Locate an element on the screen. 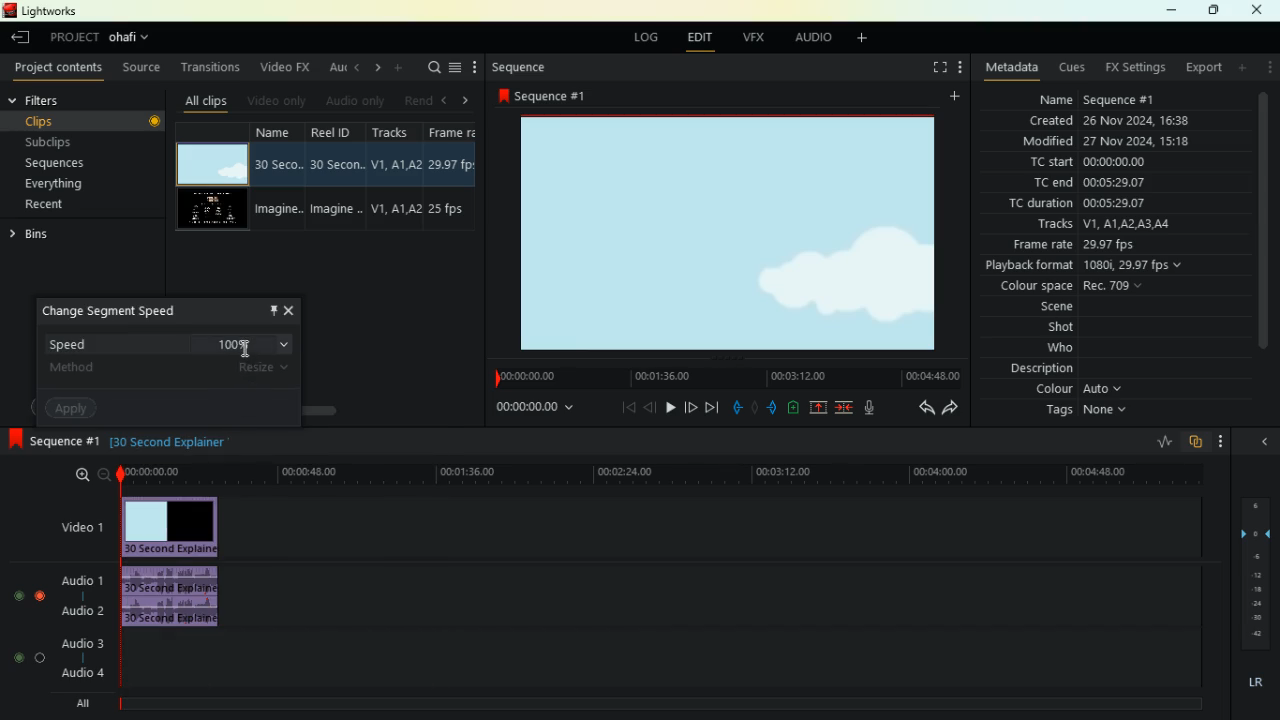 This screenshot has height=720, width=1280. add is located at coordinates (869, 40).